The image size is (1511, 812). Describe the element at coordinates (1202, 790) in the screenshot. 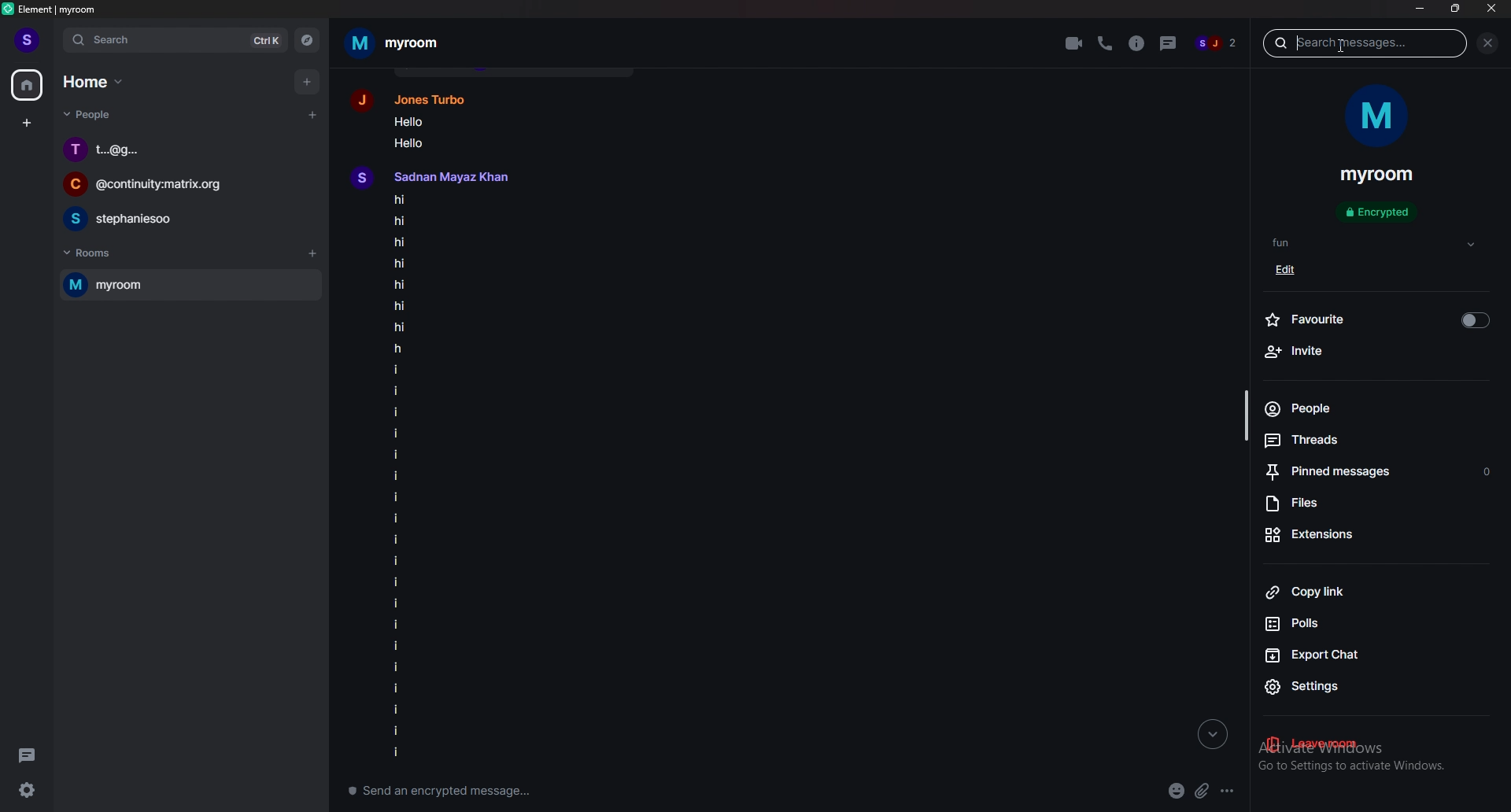

I see `attachment` at that location.